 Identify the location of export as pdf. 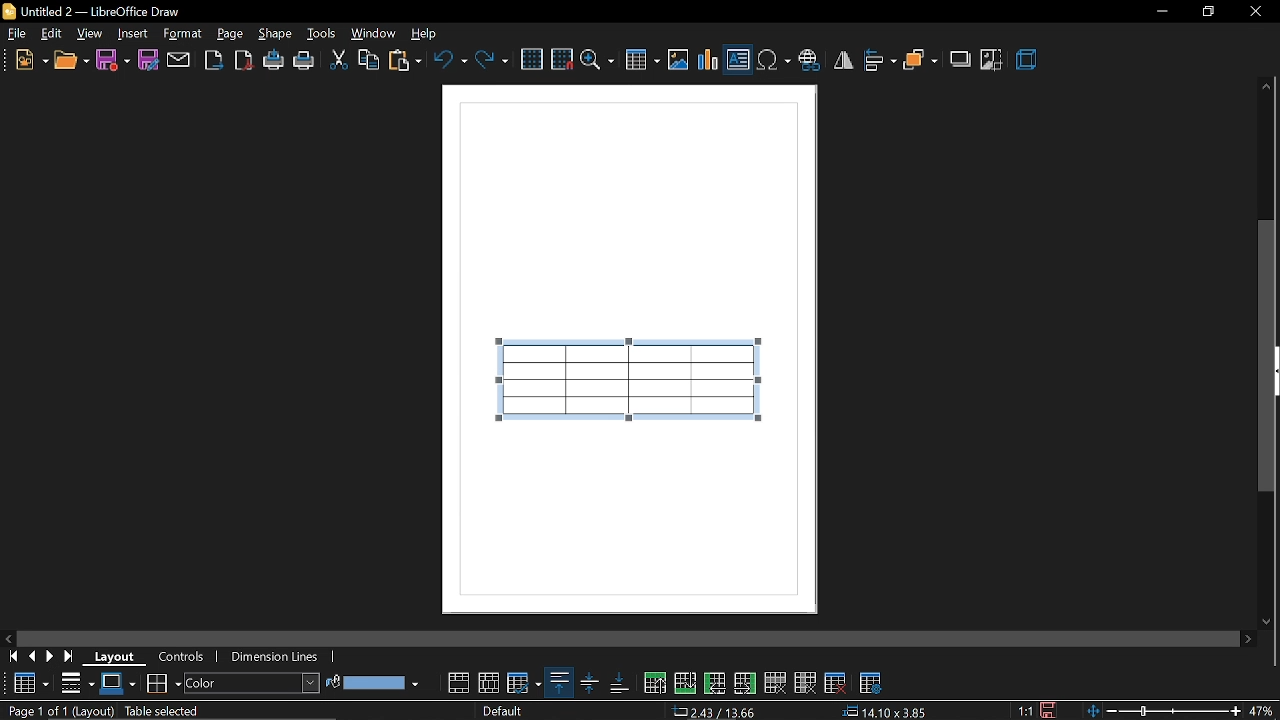
(241, 60).